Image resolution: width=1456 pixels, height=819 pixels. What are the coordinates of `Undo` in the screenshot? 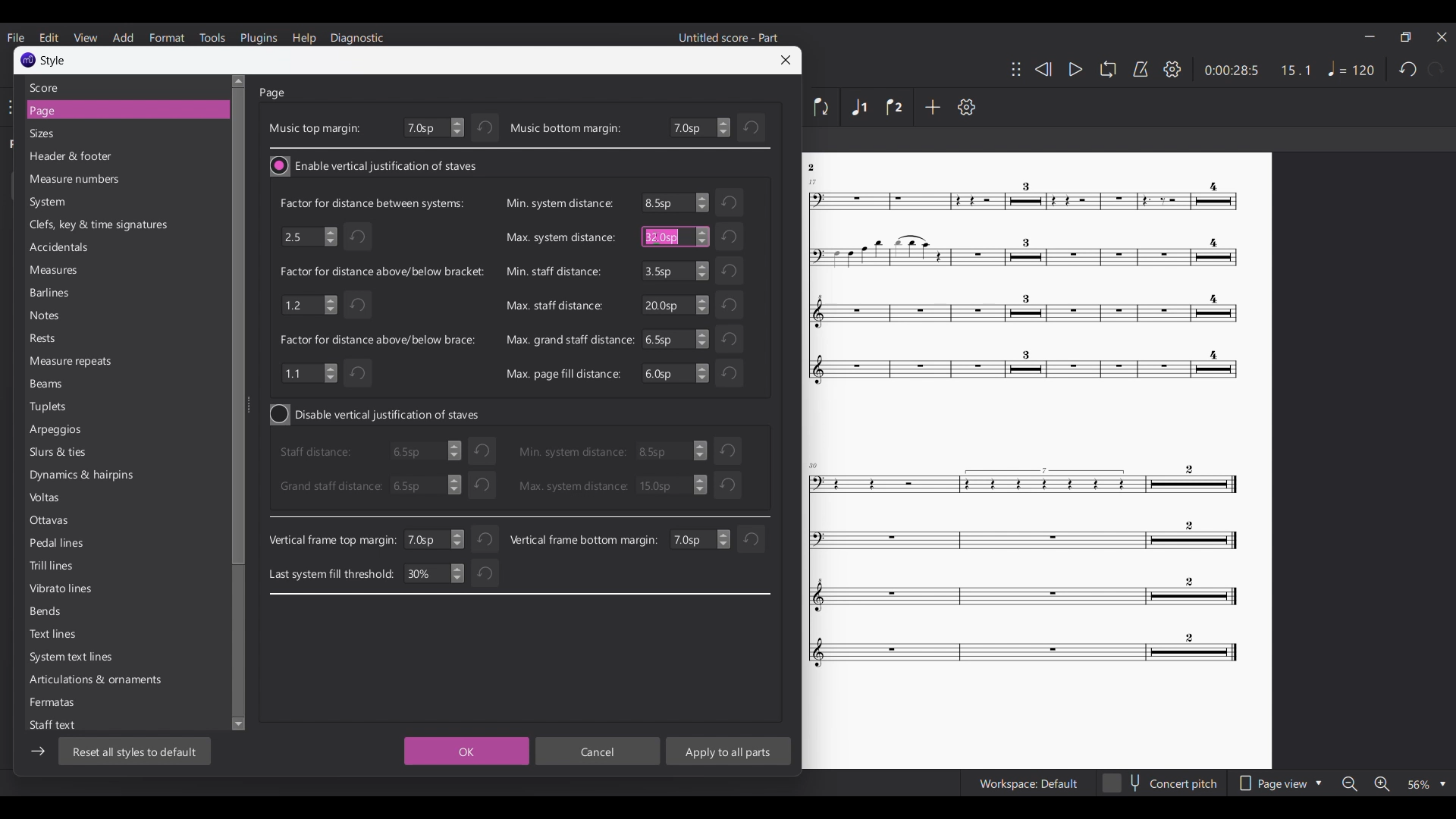 It's located at (731, 203).